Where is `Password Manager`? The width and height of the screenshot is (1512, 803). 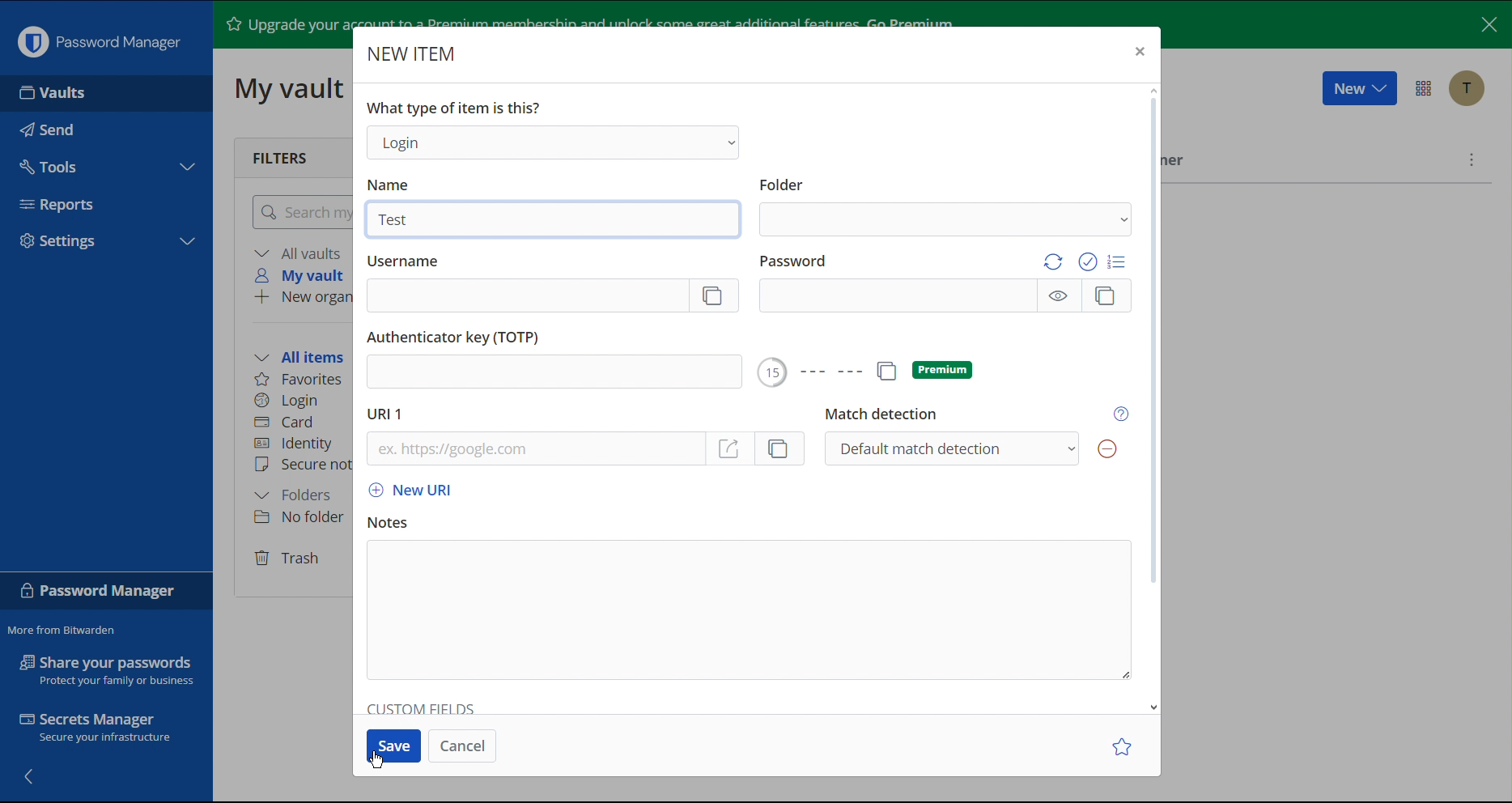 Password Manager is located at coordinates (104, 593).